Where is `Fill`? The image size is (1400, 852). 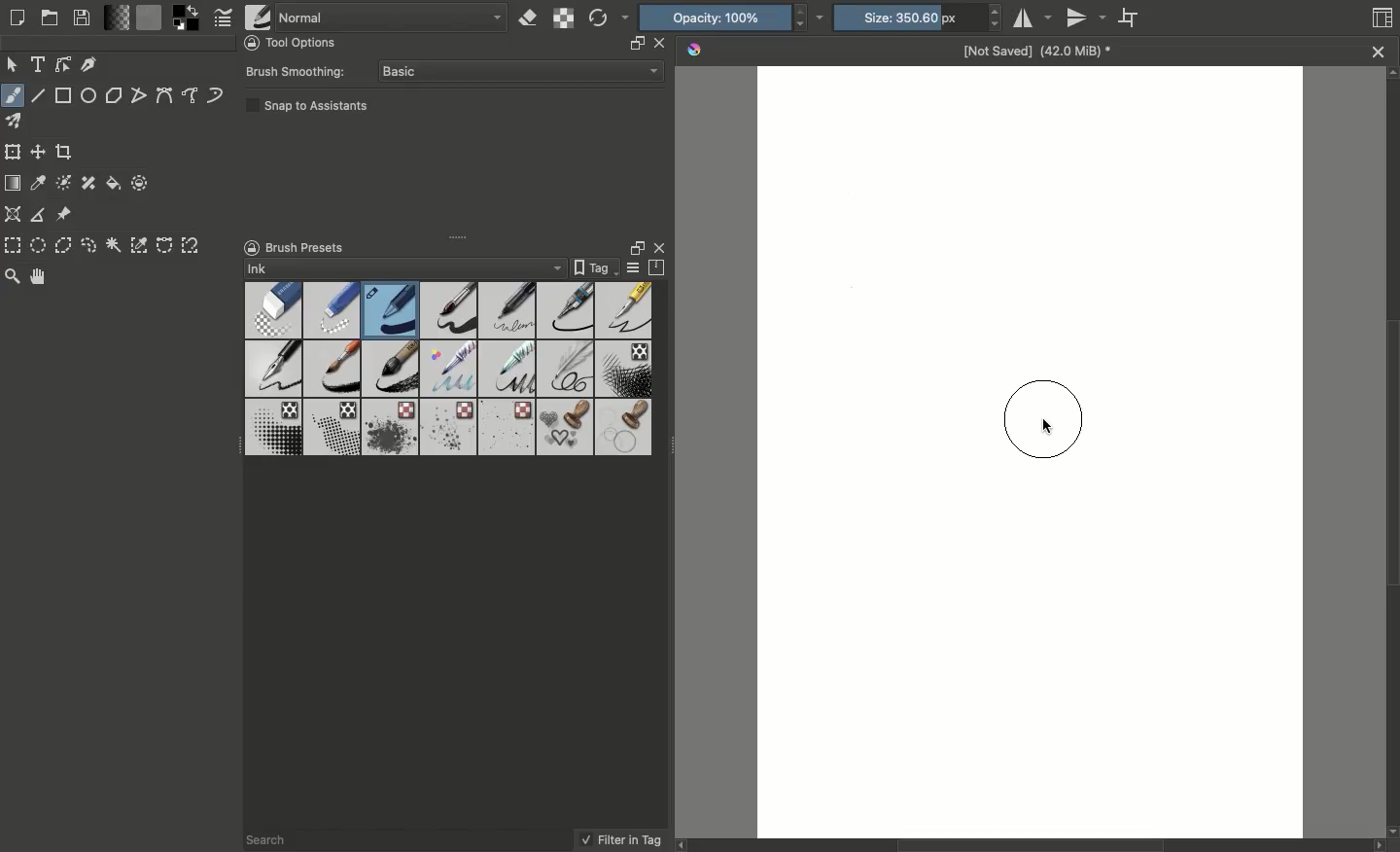 Fill is located at coordinates (114, 183).